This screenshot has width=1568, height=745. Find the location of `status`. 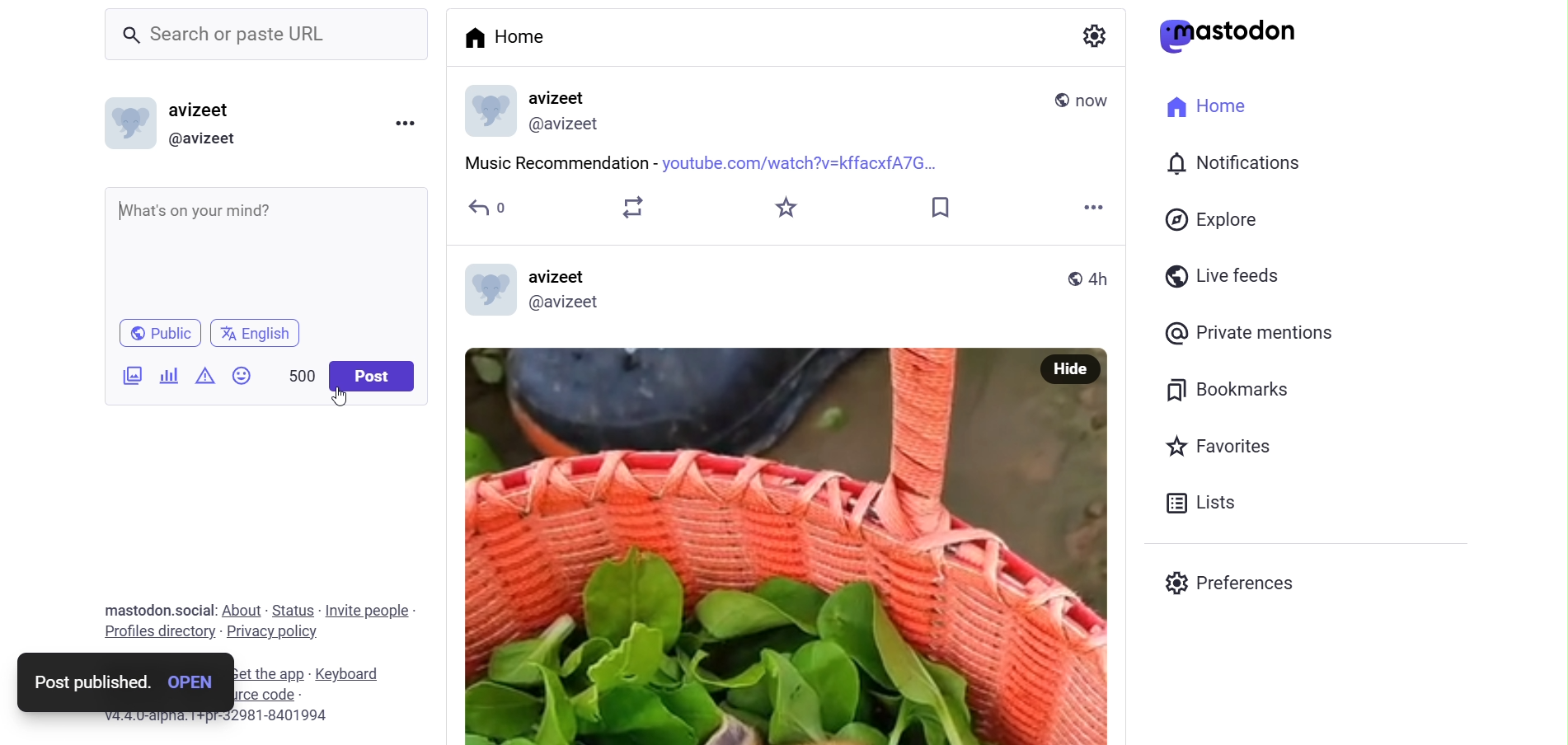

status is located at coordinates (293, 610).